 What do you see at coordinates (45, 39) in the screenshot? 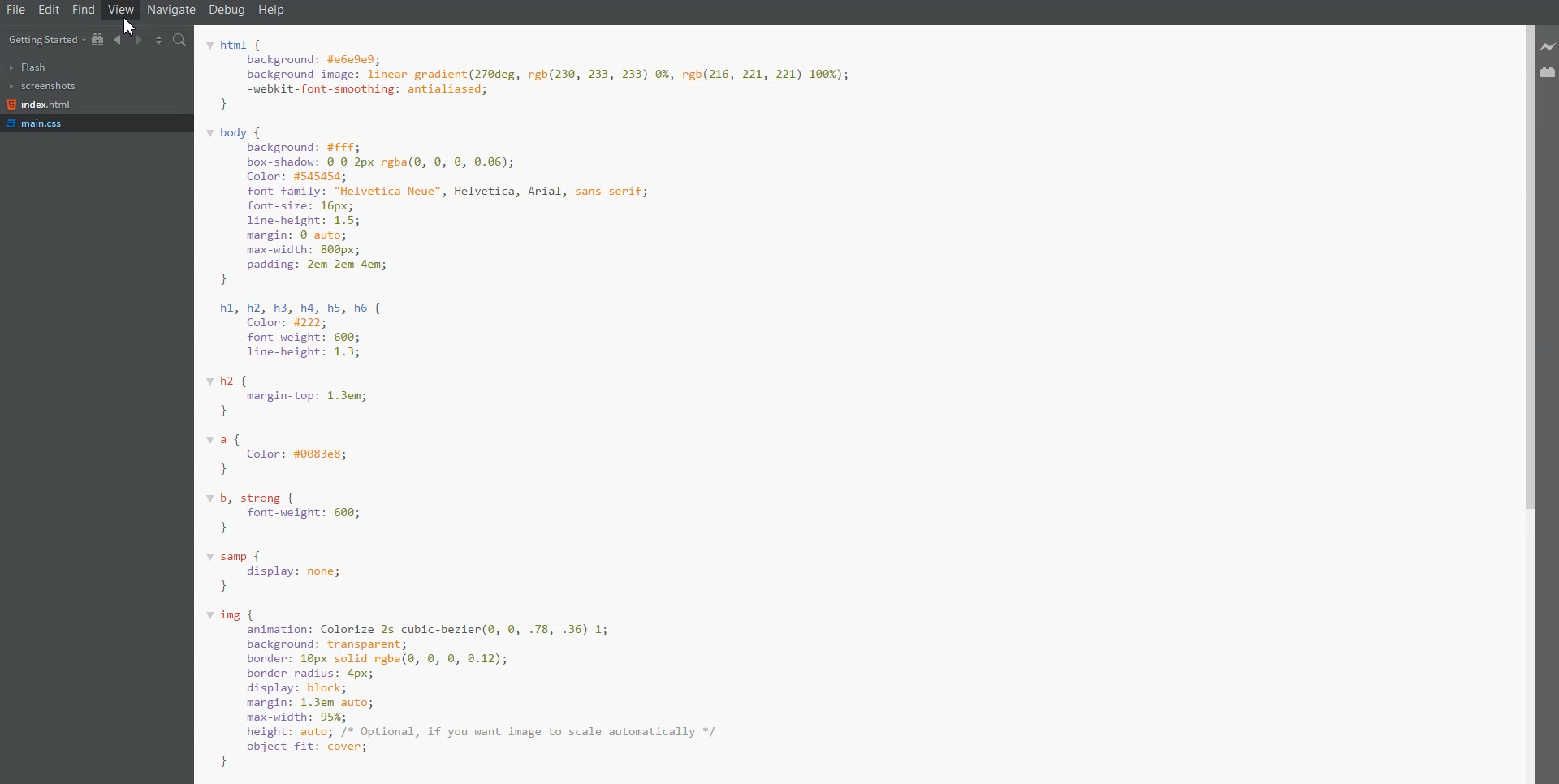
I see `Getting Started` at bounding box center [45, 39].